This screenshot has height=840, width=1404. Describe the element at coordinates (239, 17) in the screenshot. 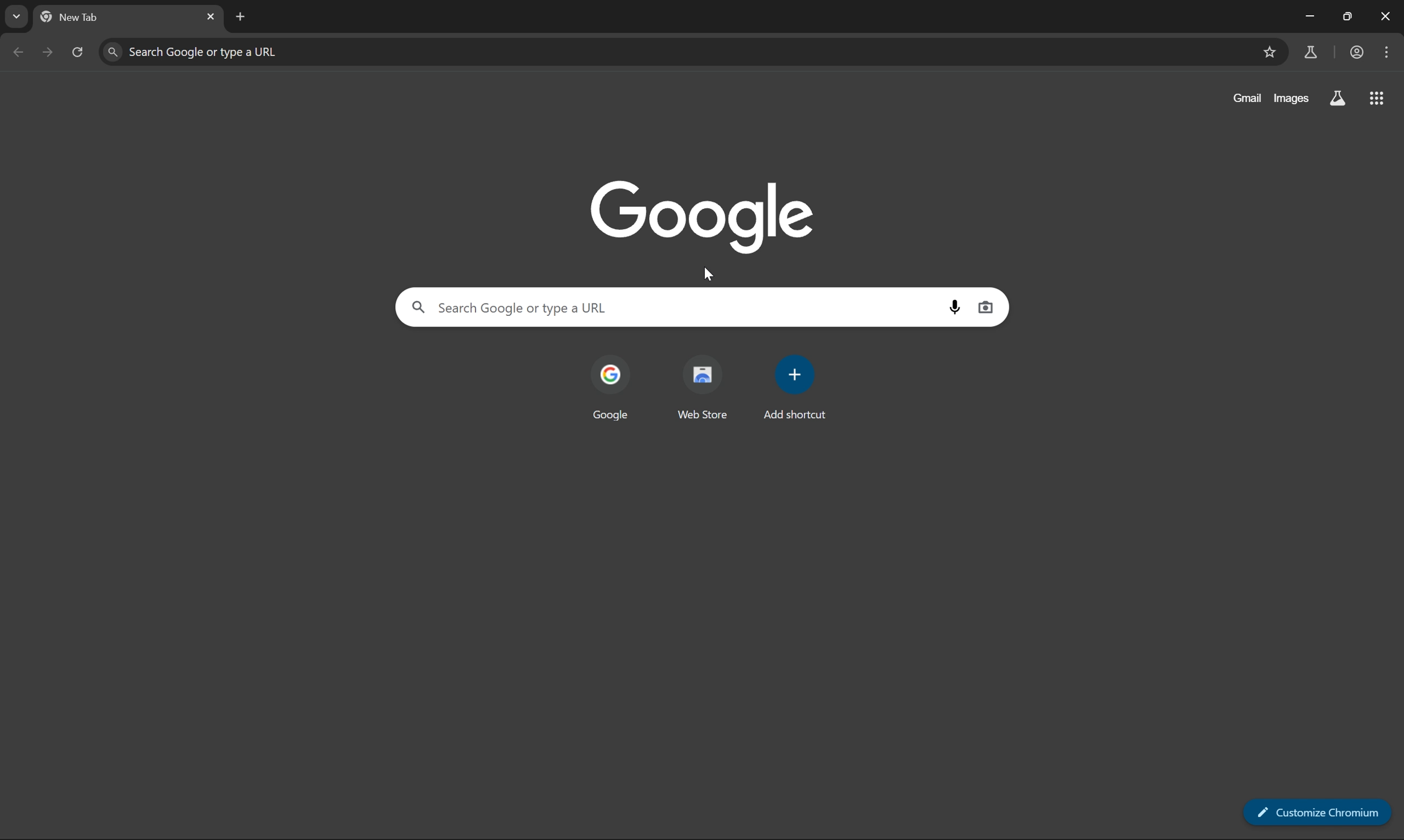

I see `new tab` at that location.